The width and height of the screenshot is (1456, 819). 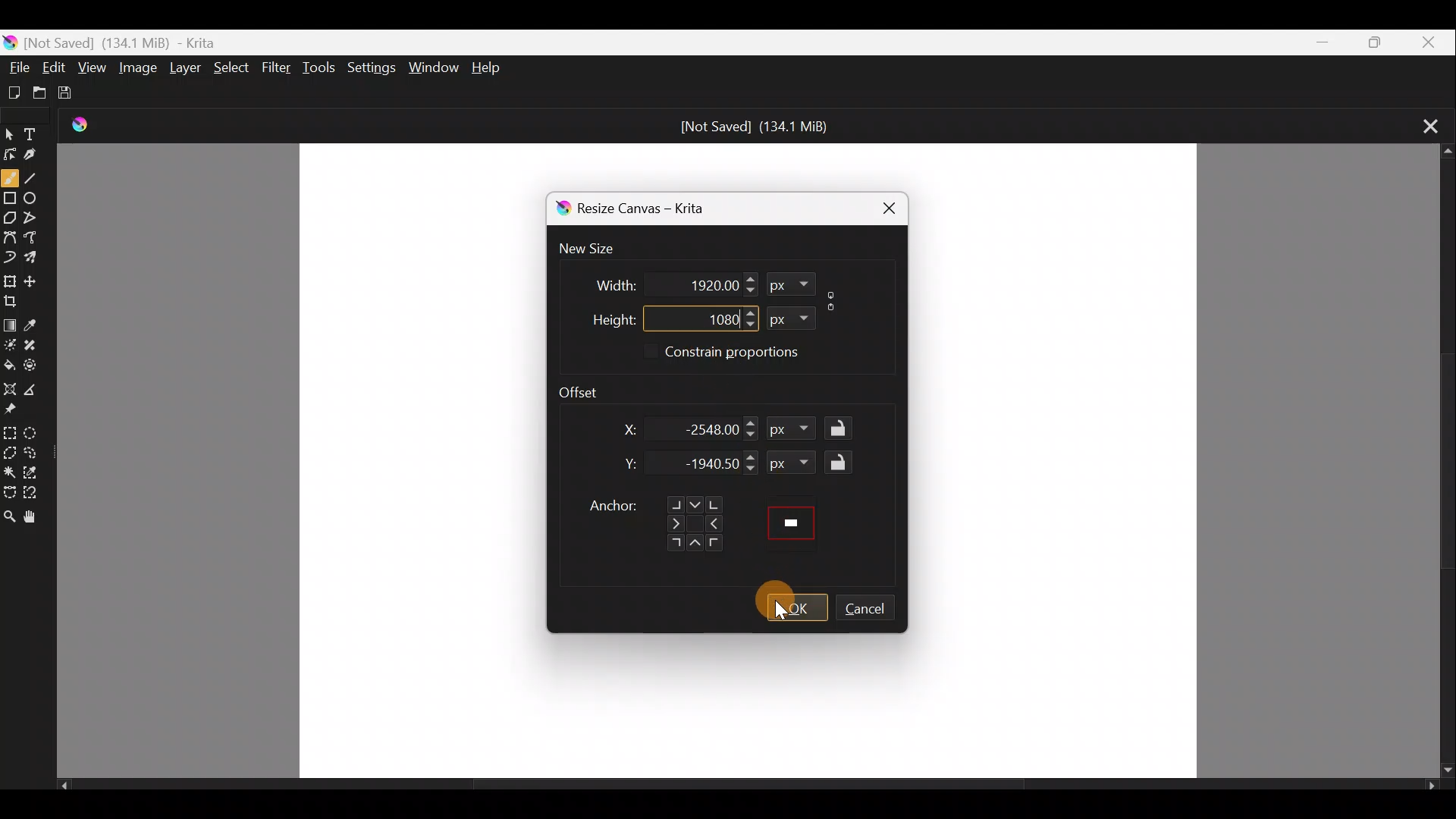 What do you see at coordinates (881, 206) in the screenshot?
I see `Close` at bounding box center [881, 206].